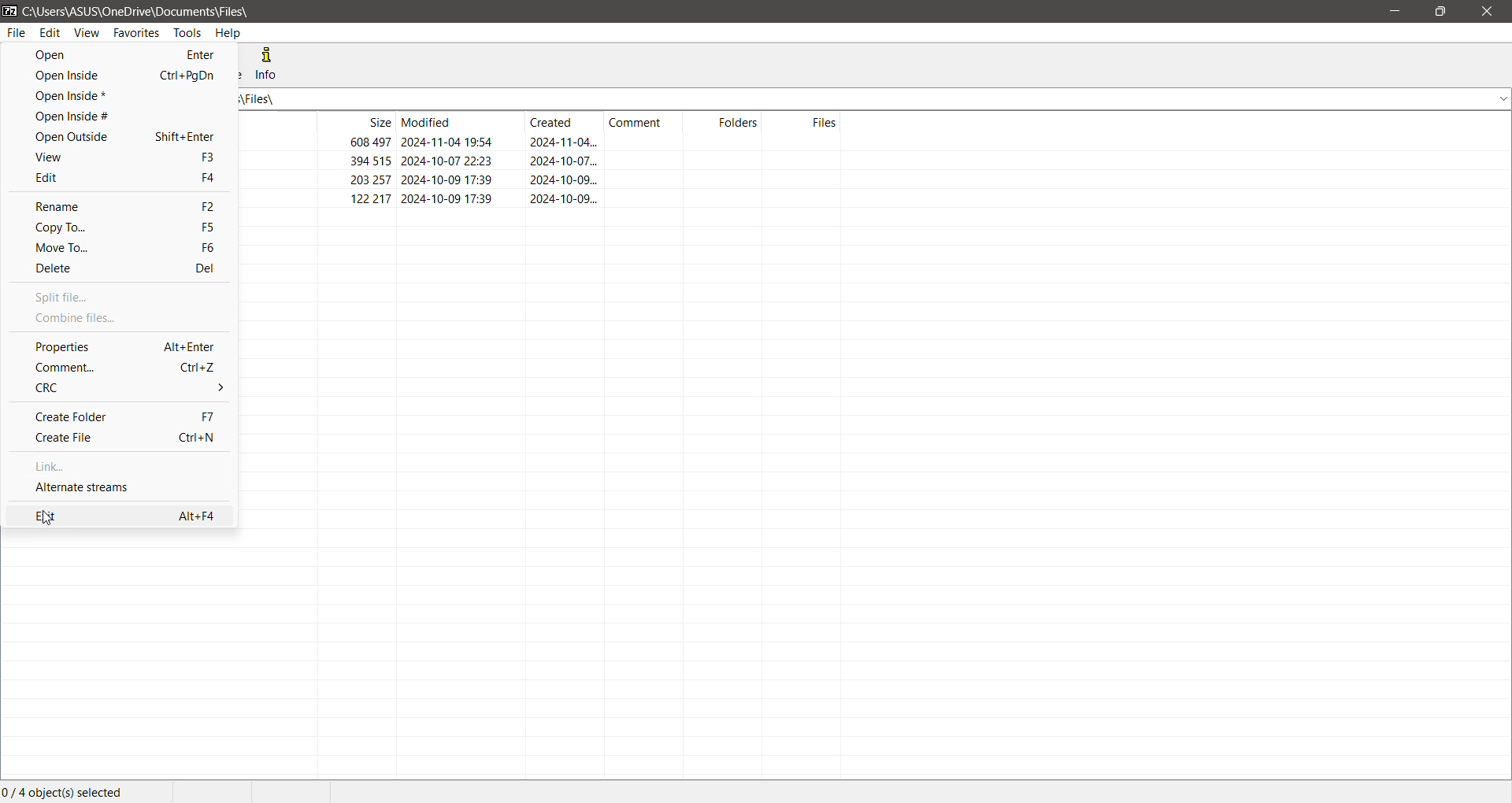 The width and height of the screenshot is (1512, 803). Describe the element at coordinates (640, 124) in the screenshot. I see `Comment` at that location.